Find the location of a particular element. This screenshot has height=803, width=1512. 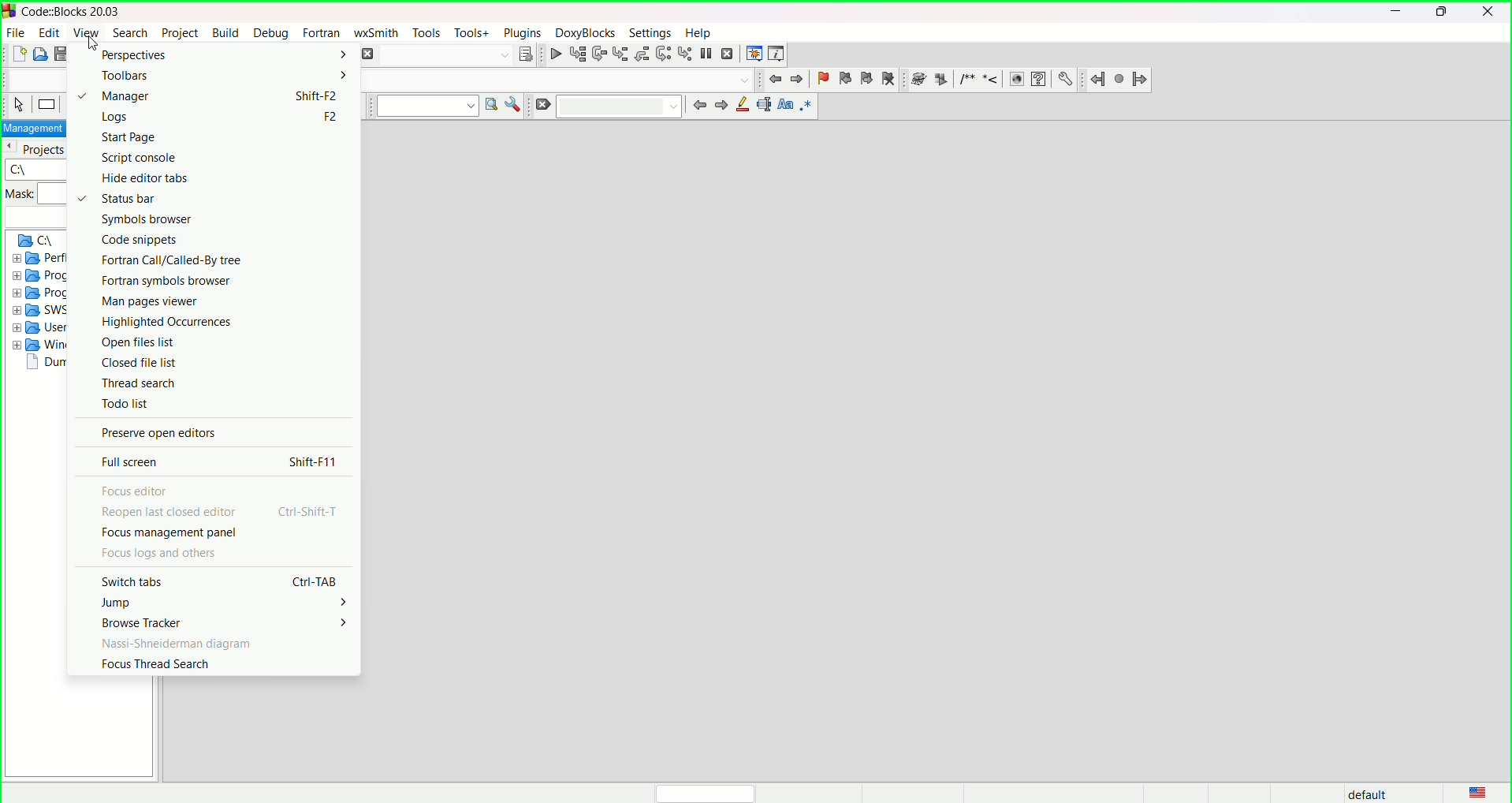

reopen and close editor is located at coordinates (169, 512).